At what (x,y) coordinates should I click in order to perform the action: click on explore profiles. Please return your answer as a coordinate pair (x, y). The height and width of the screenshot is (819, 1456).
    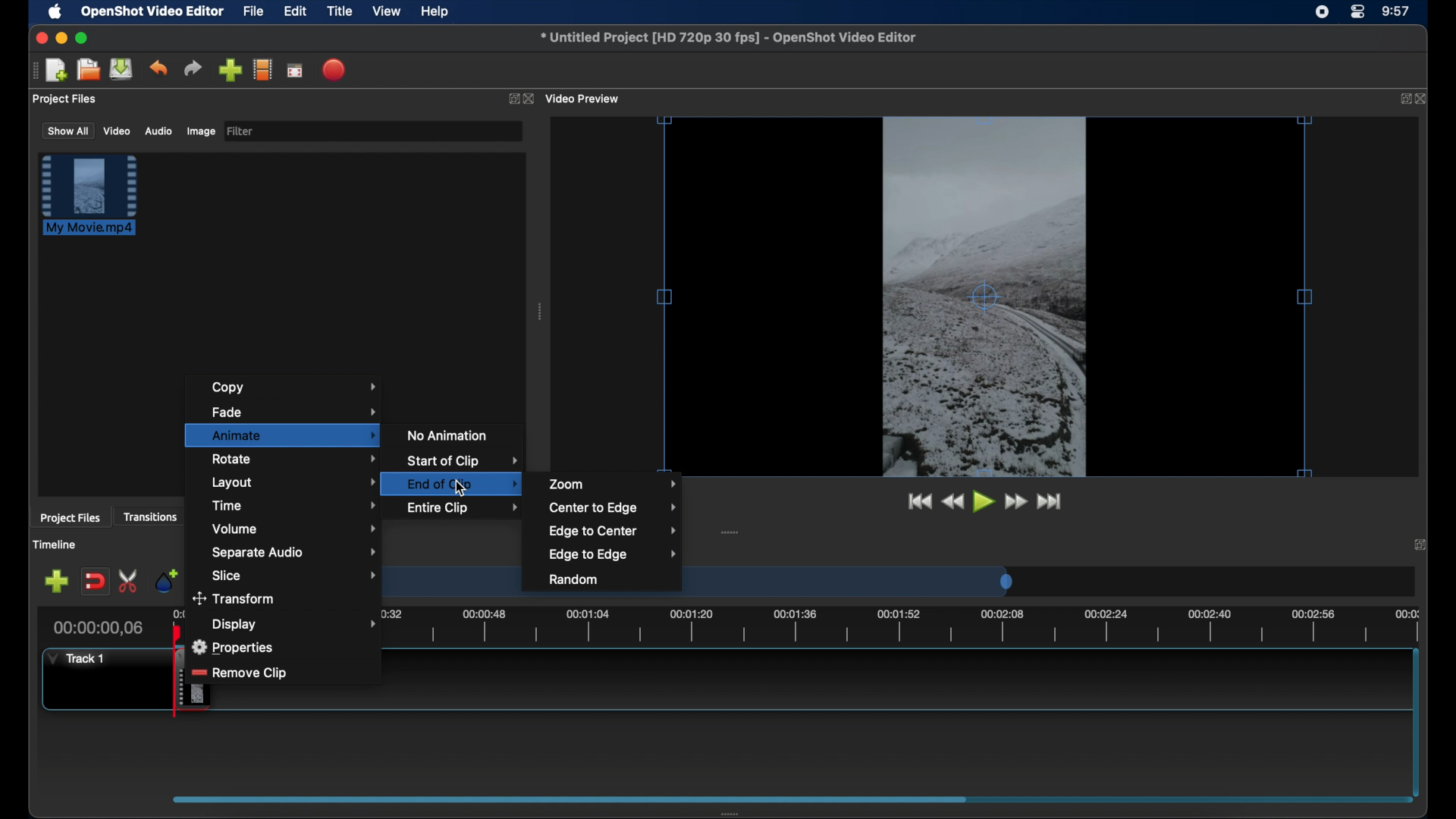
    Looking at the image, I should click on (262, 69).